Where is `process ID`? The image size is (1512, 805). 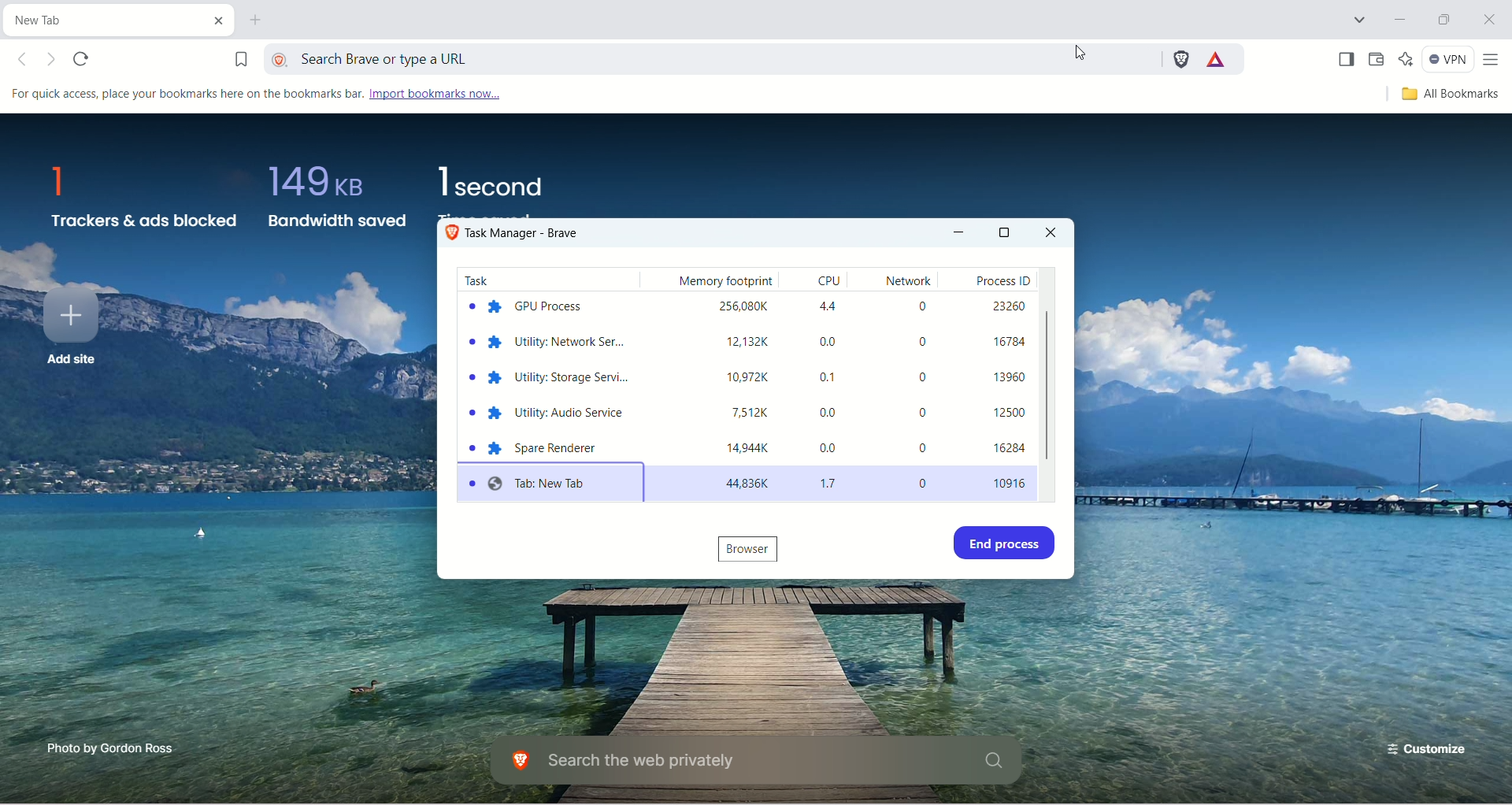 process ID is located at coordinates (1008, 384).